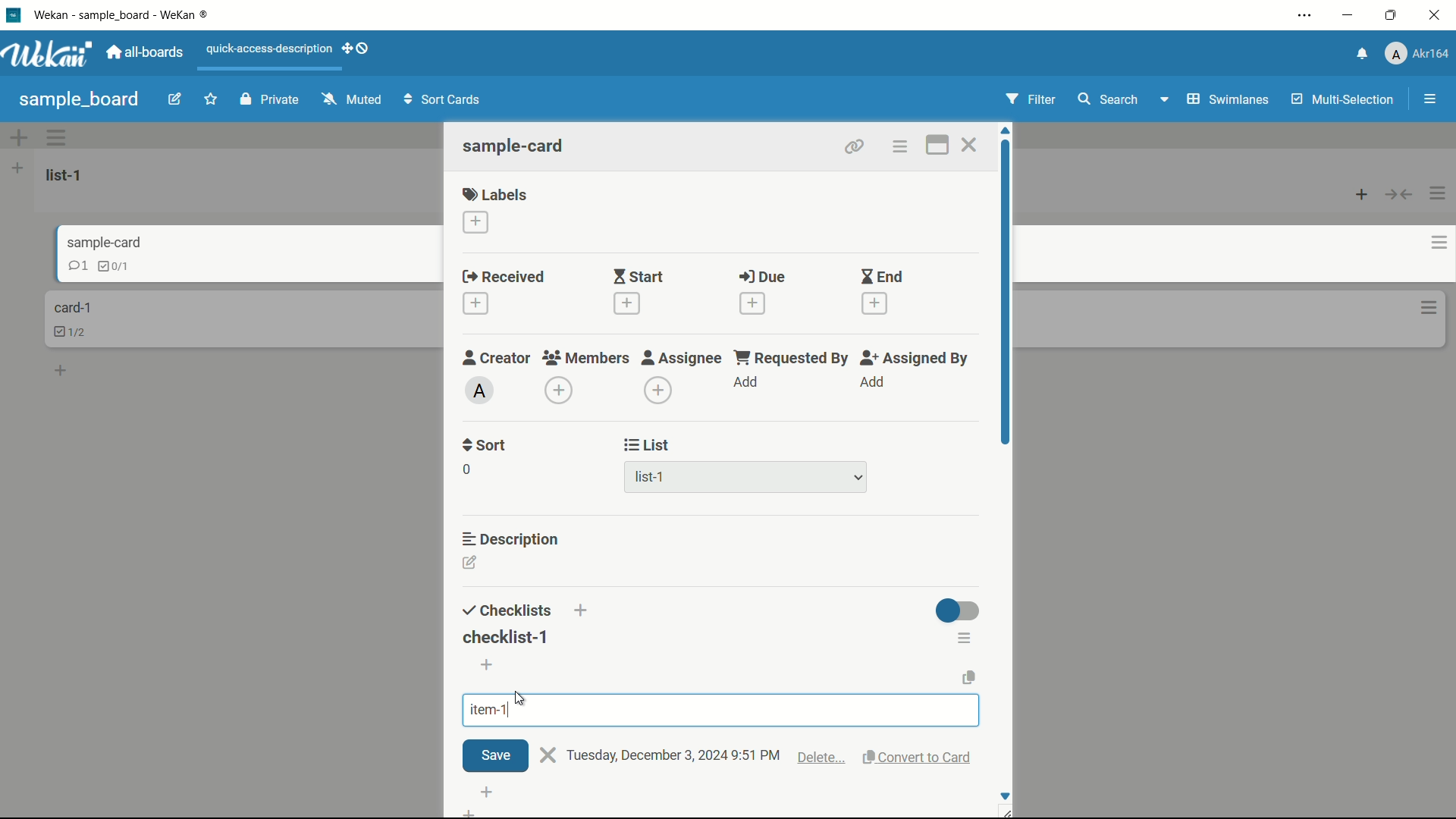 The image size is (1456, 819). Describe the element at coordinates (92, 243) in the screenshot. I see `card name` at that location.